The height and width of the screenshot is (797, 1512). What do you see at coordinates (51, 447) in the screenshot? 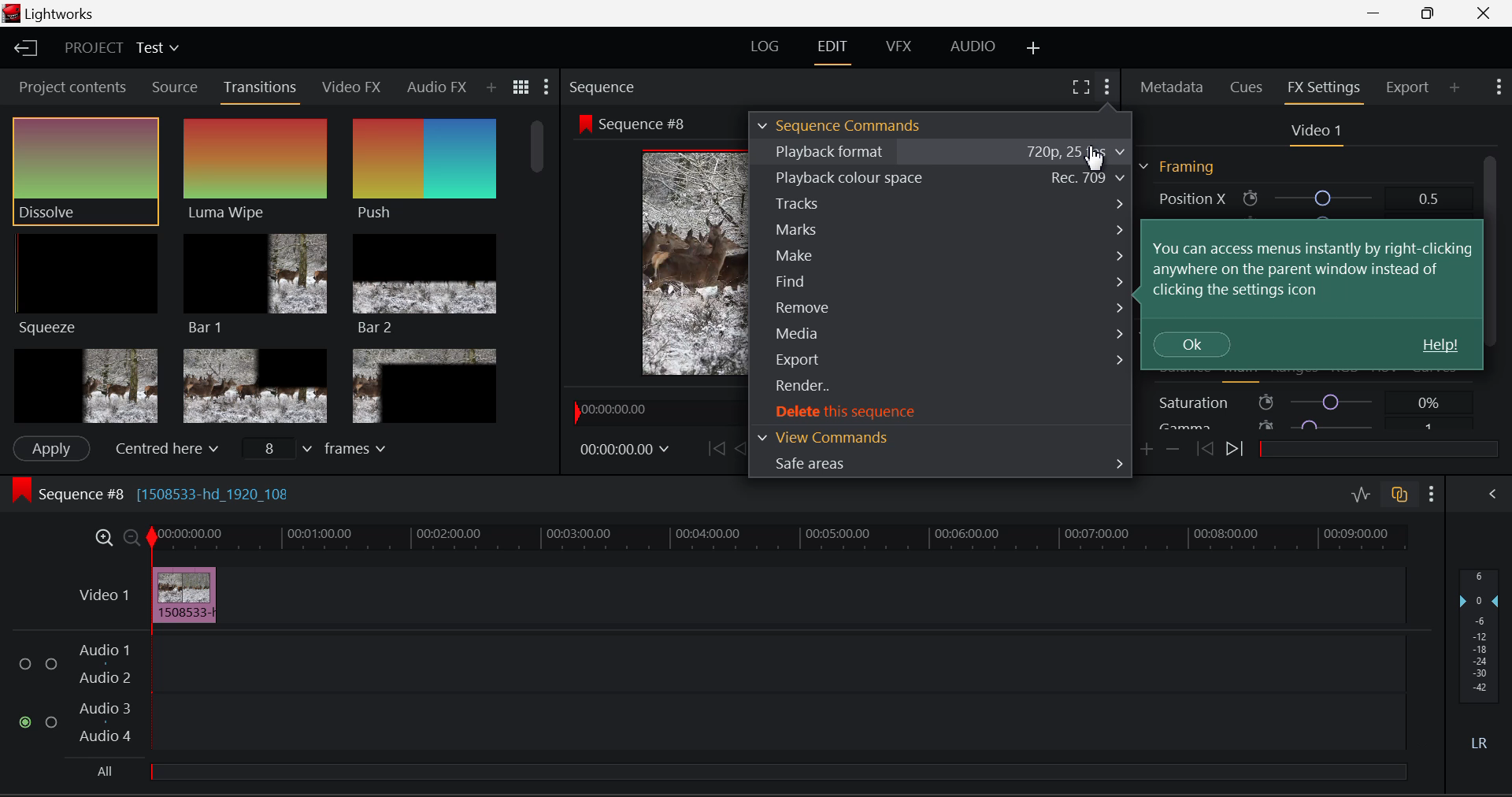
I see `Apply` at bounding box center [51, 447].